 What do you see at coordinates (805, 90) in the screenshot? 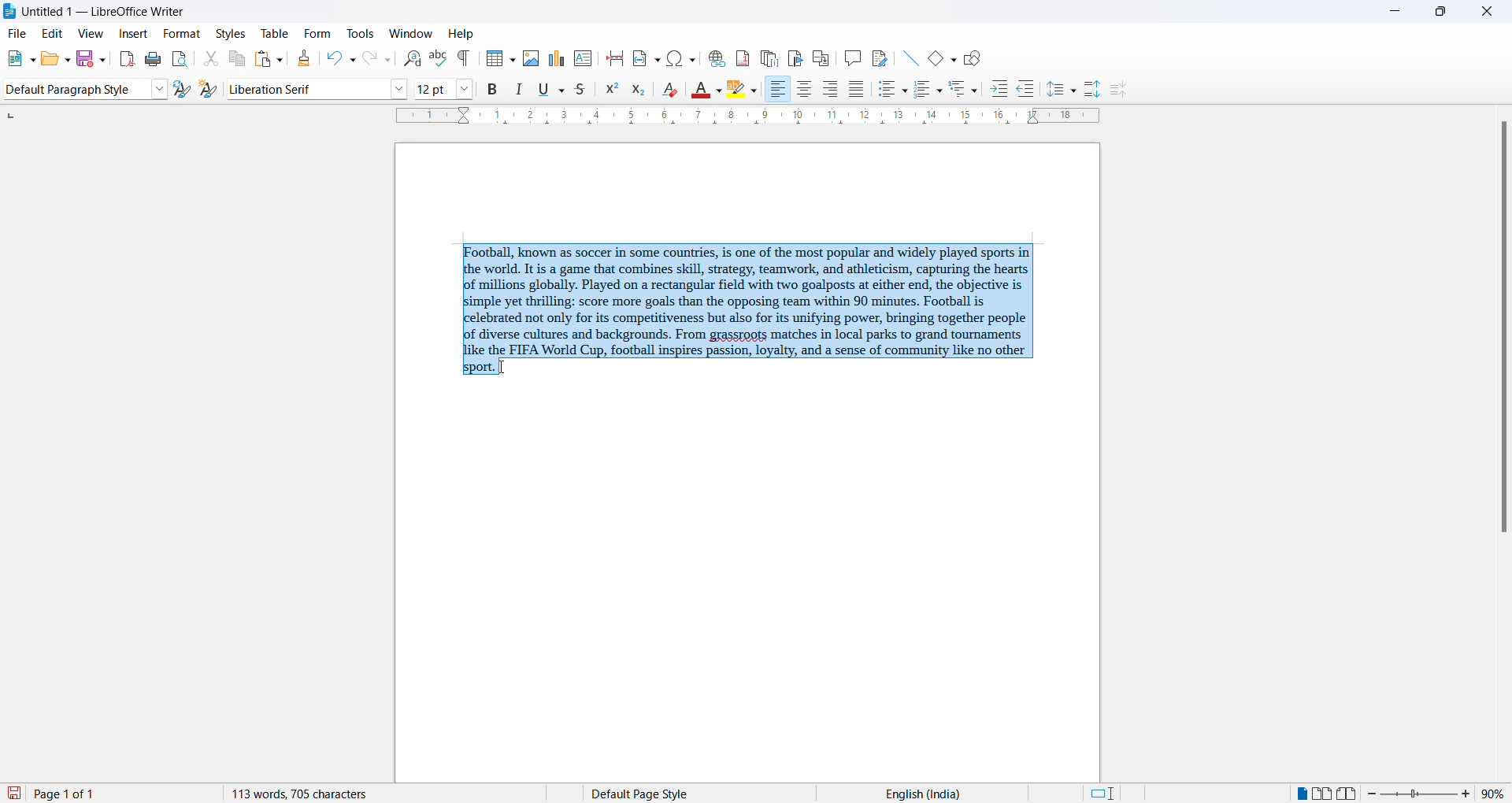
I see `text align center` at bounding box center [805, 90].